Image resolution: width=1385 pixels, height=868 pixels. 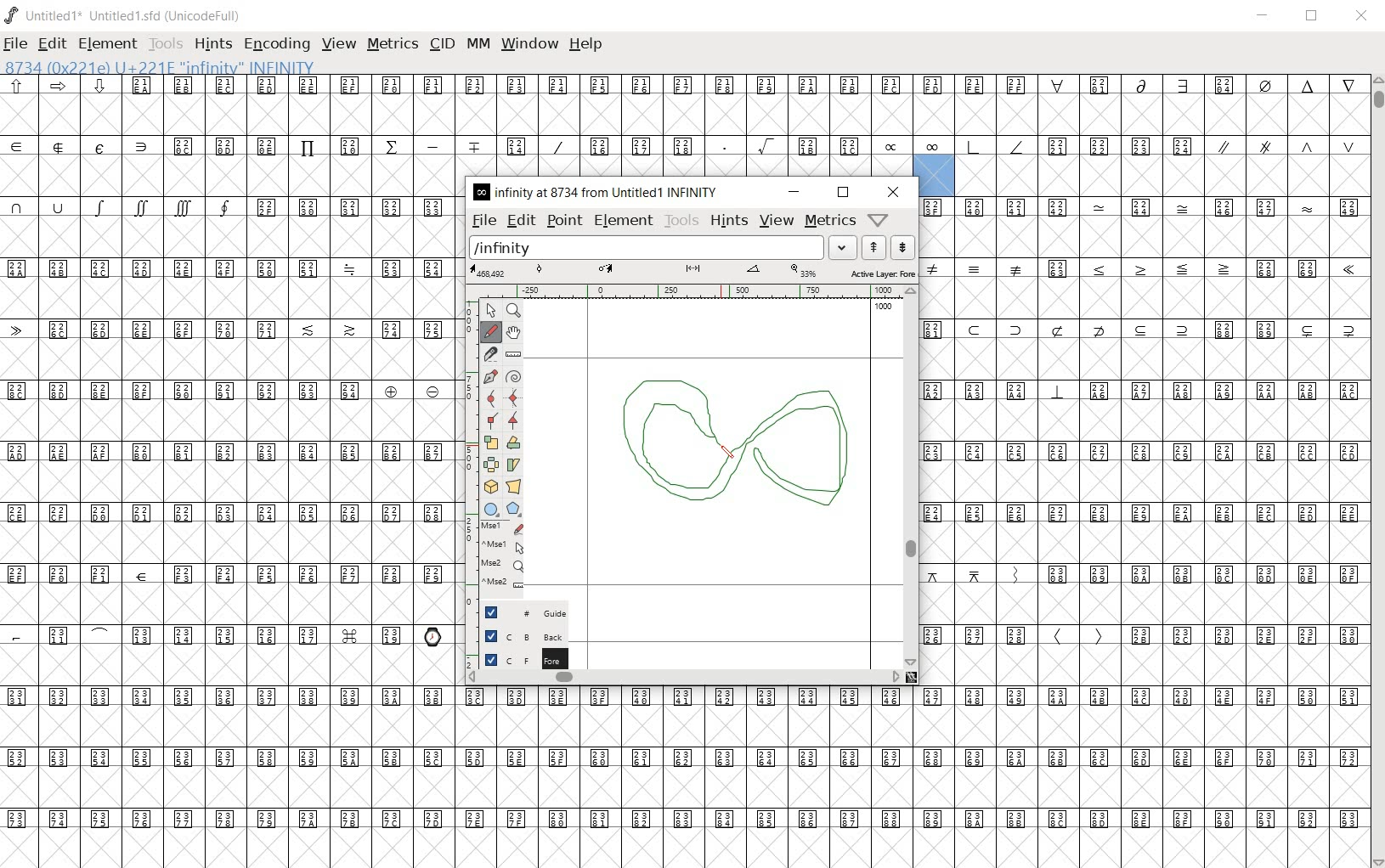 What do you see at coordinates (684, 727) in the screenshot?
I see `empty glyph slots` at bounding box center [684, 727].